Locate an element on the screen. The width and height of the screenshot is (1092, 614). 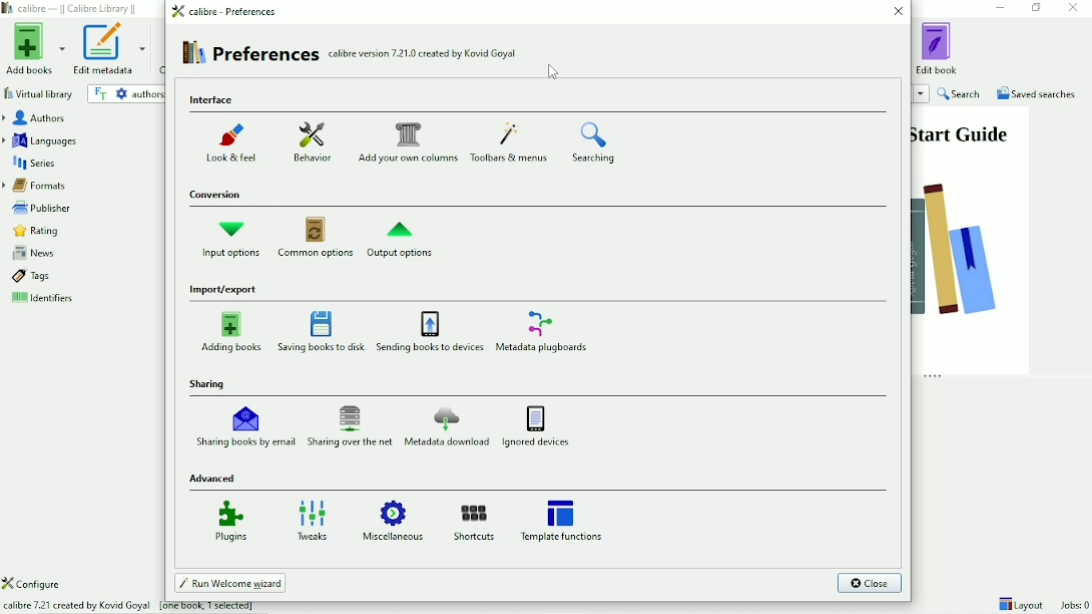
Edit book is located at coordinates (937, 48).